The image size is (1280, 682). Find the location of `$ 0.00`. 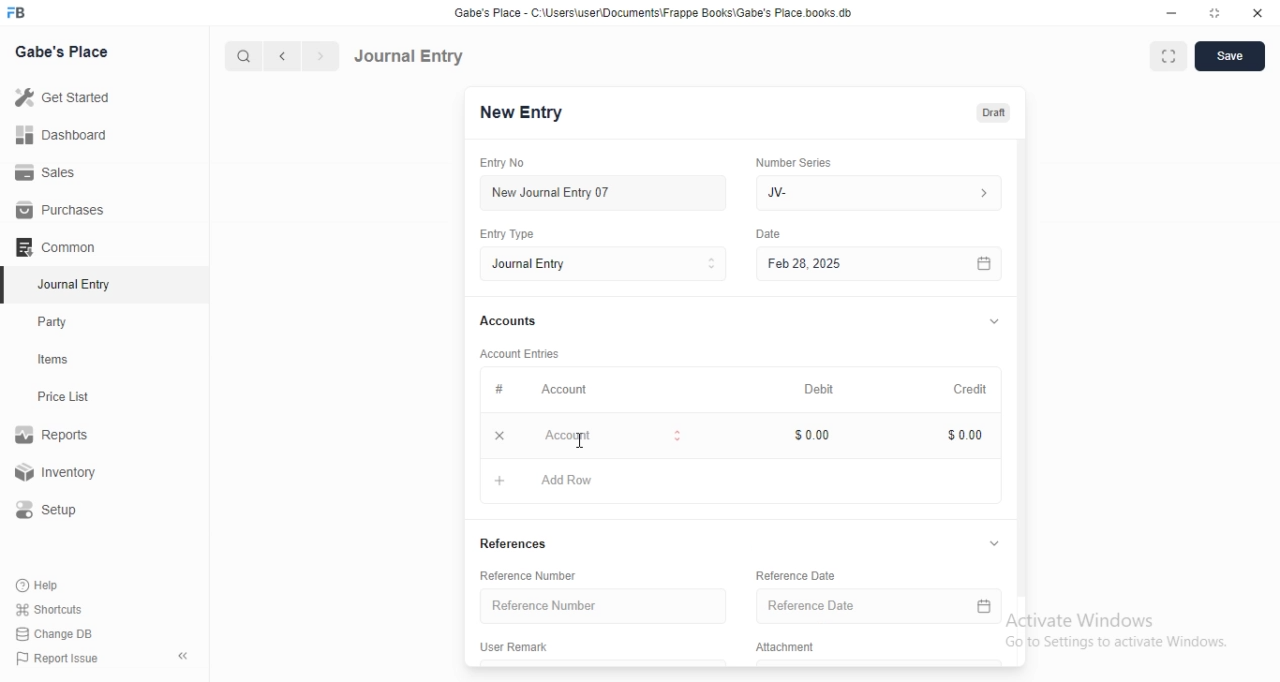

$ 0.00 is located at coordinates (960, 436).